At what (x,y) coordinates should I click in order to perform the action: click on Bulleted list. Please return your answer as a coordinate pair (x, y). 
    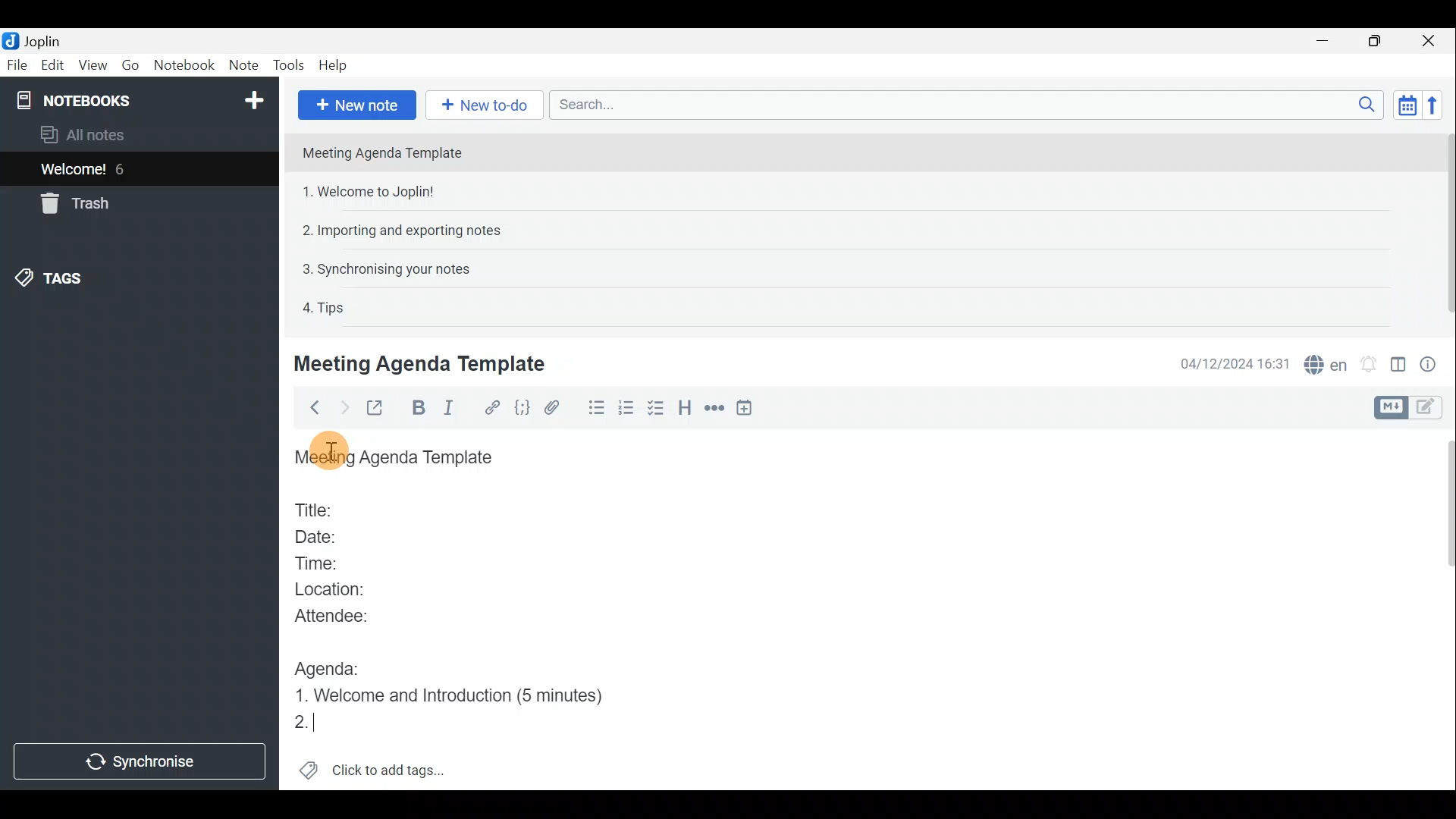
    Looking at the image, I should click on (595, 408).